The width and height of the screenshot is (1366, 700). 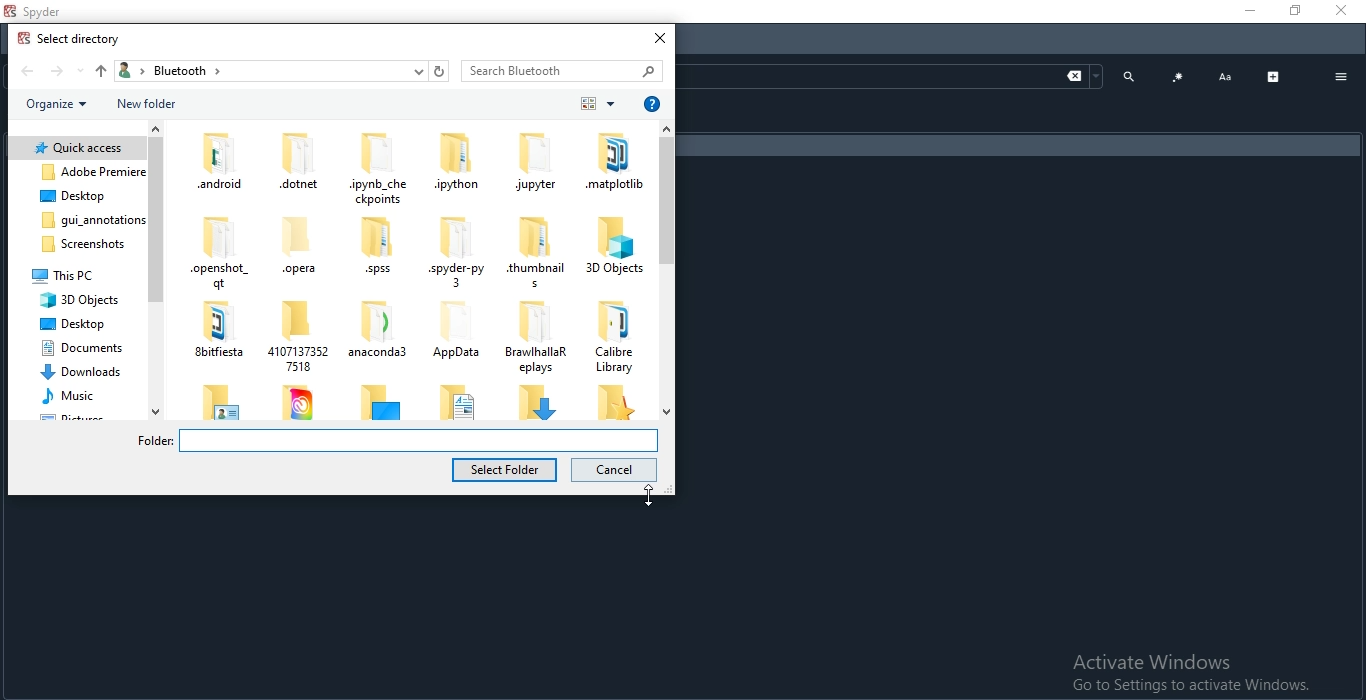 I want to click on quick access, so click(x=76, y=148).